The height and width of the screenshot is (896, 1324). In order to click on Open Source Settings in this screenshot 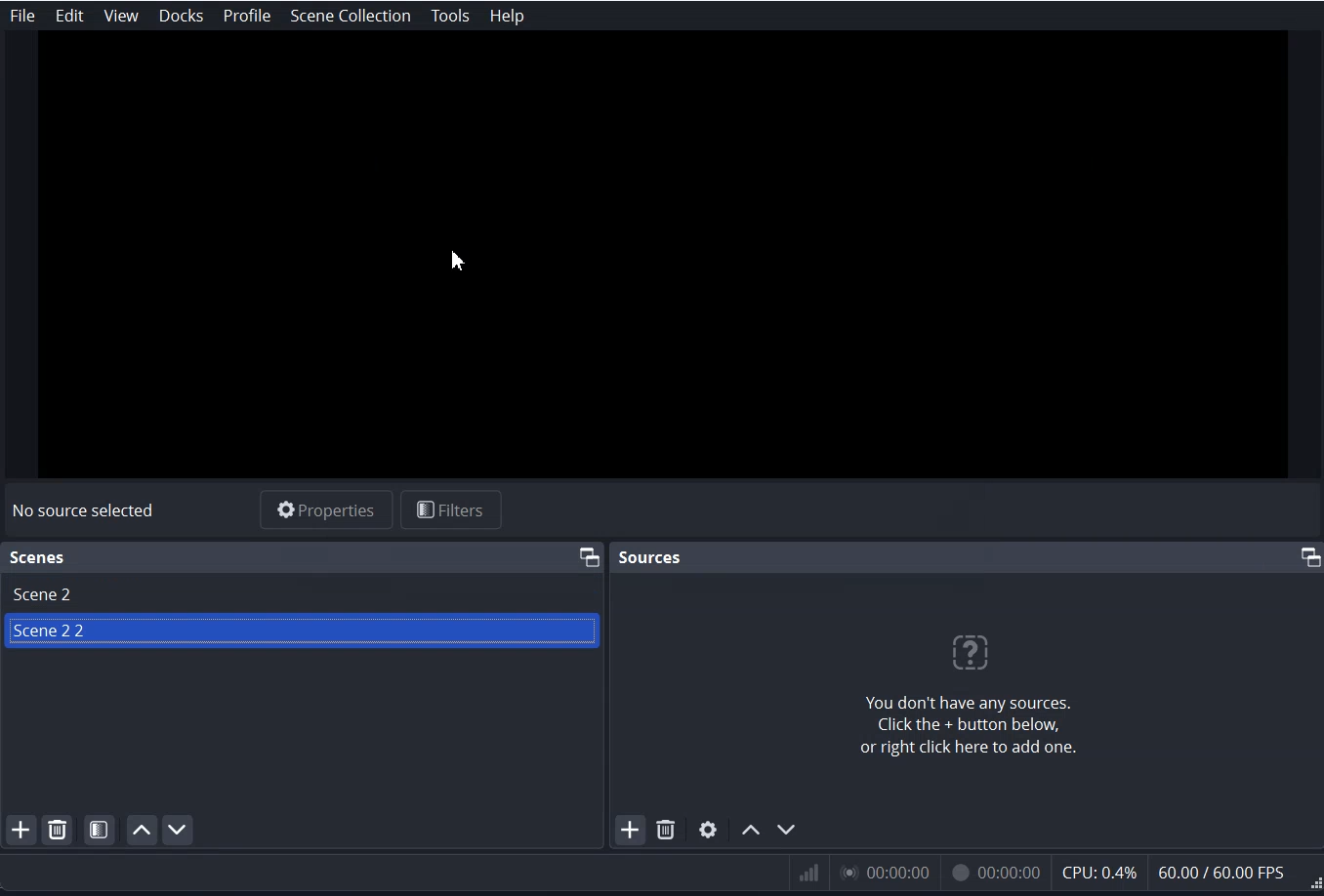, I will do `click(708, 829)`.